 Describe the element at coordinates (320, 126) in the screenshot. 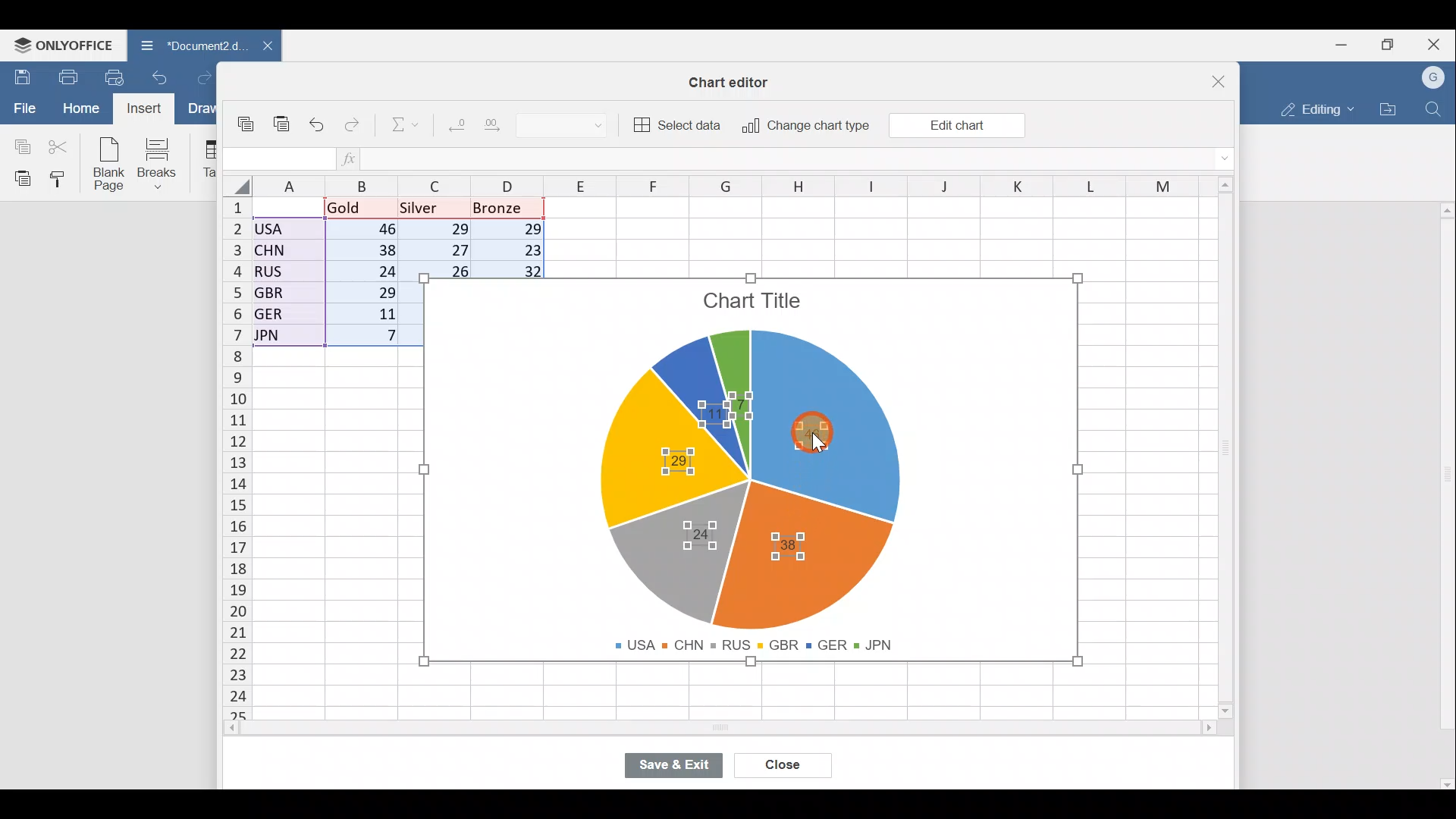

I see `Undo` at that location.